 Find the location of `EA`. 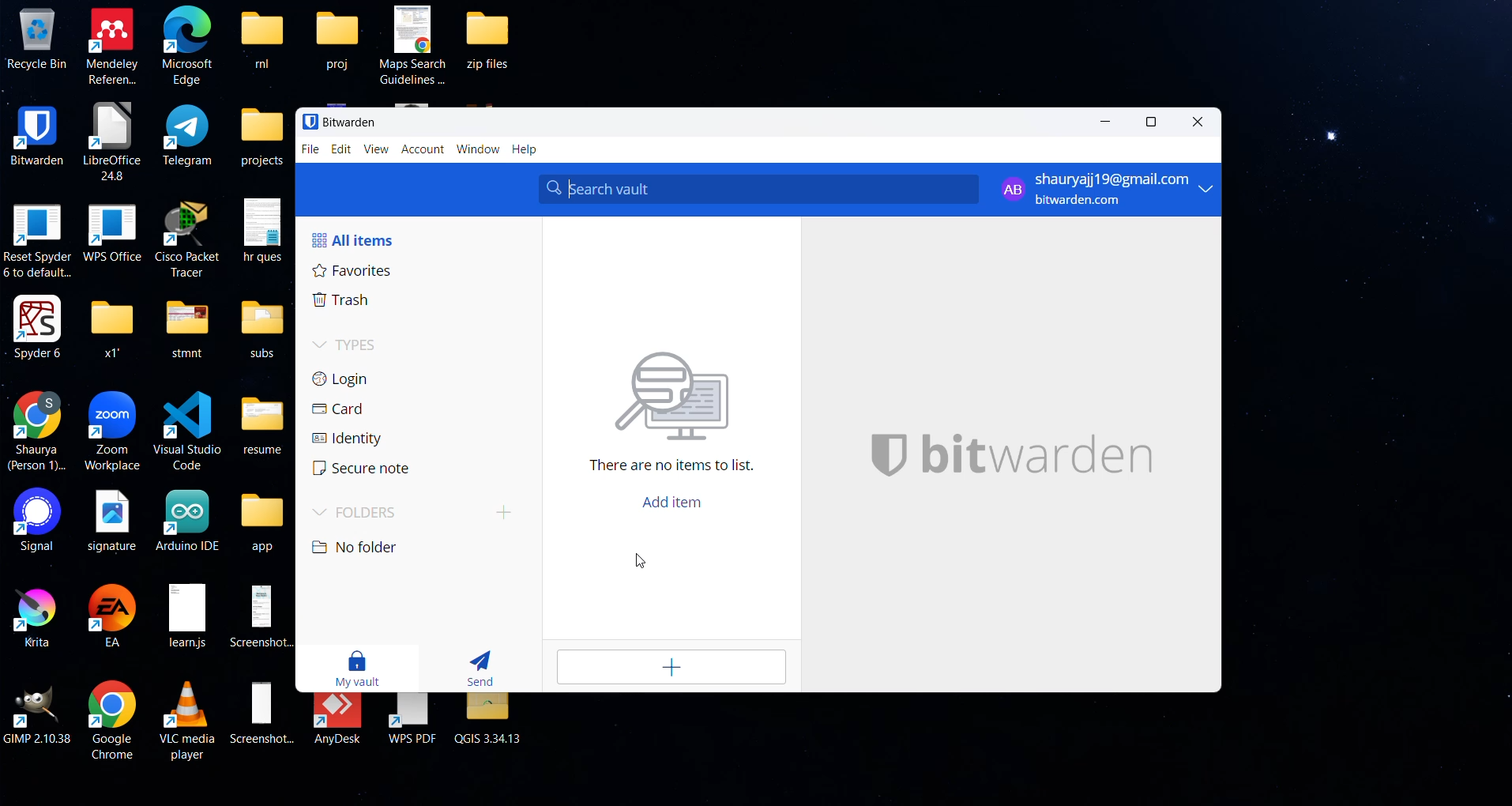

EA is located at coordinates (114, 616).